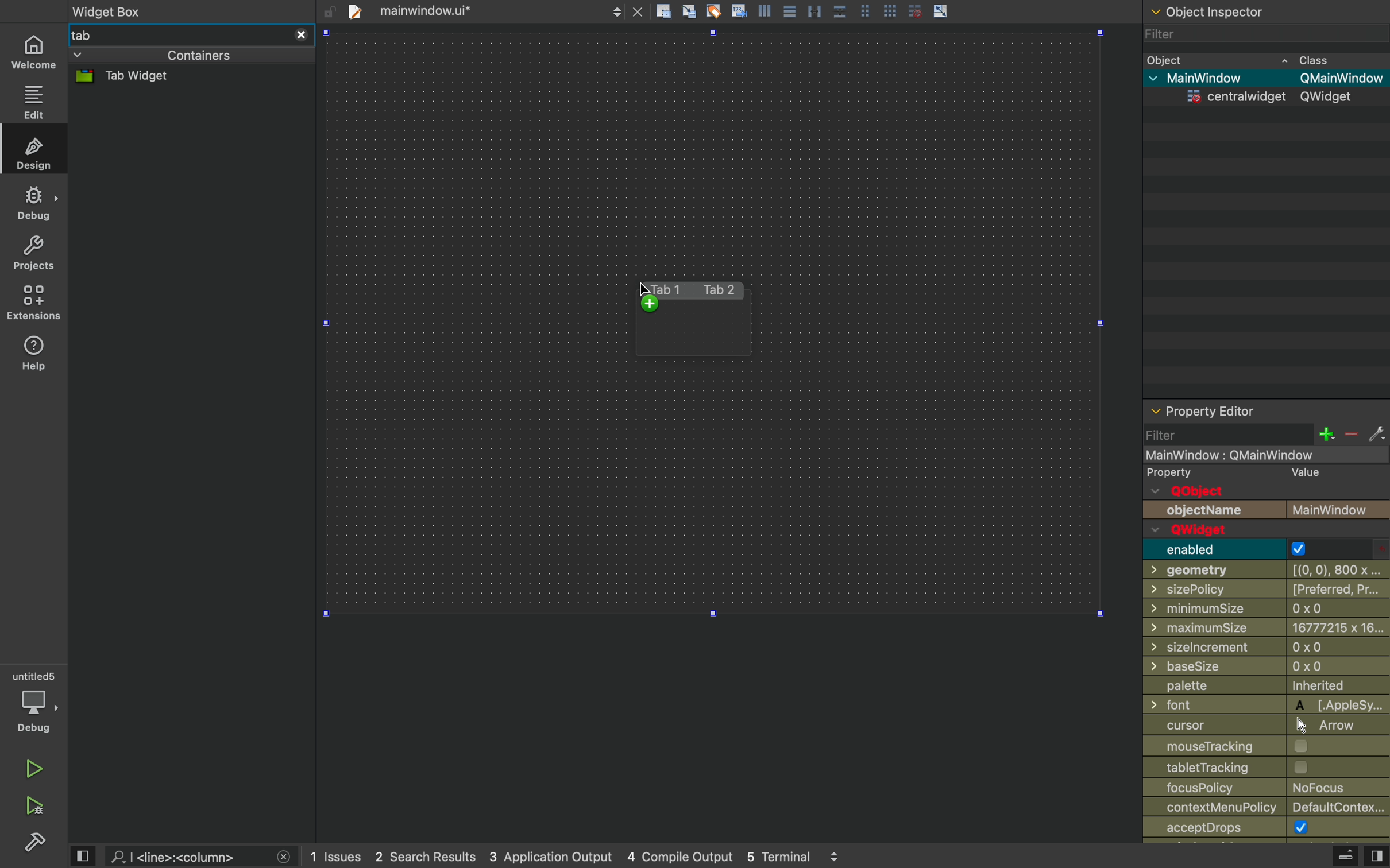 Image resolution: width=1390 pixels, height=868 pixels. What do you see at coordinates (143, 77) in the screenshot?
I see `tab widget` at bounding box center [143, 77].